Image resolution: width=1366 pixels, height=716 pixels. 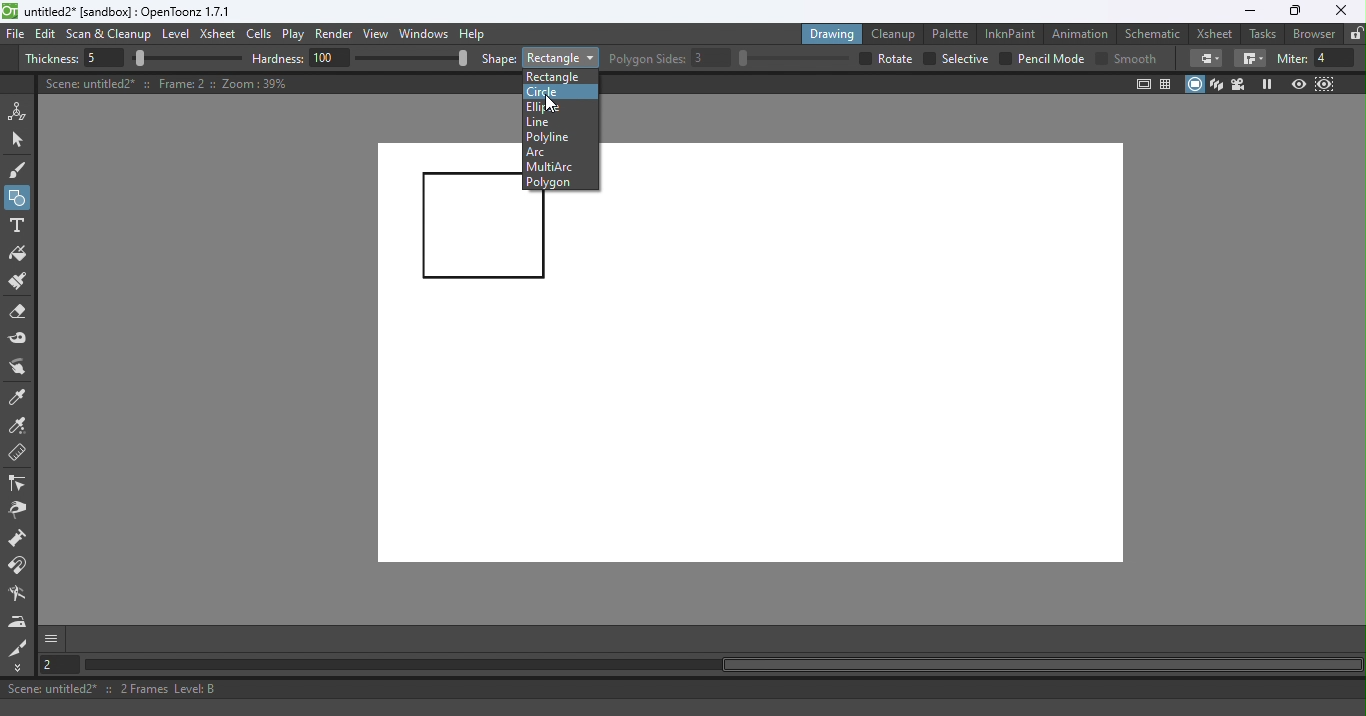 What do you see at coordinates (280, 58) in the screenshot?
I see `hardness` at bounding box center [280, 58].